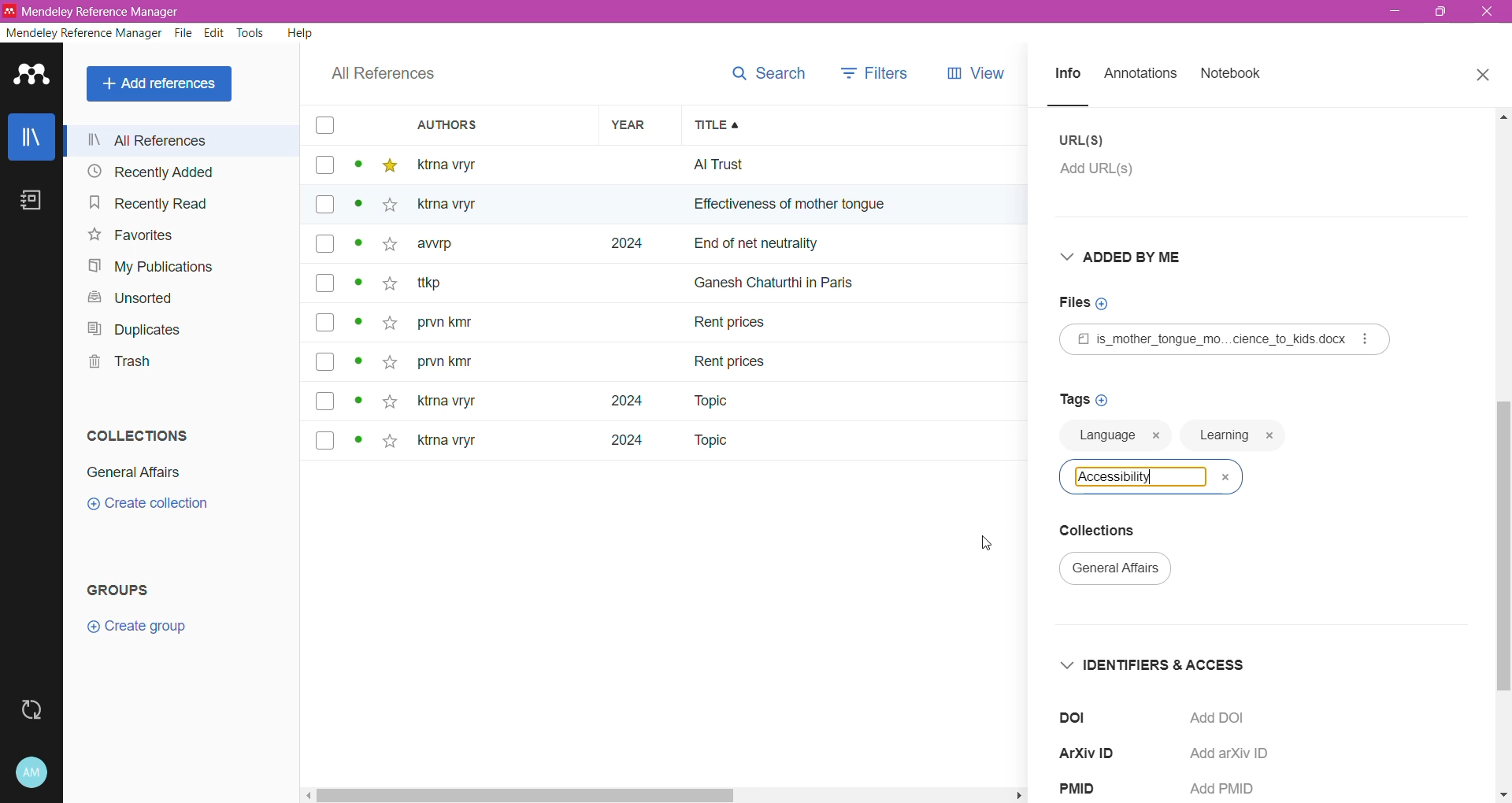 The image size is (1512, 803). Describe the element at coordinates (455, 283) in the screenshot. I see `~ ttkp` at that location.